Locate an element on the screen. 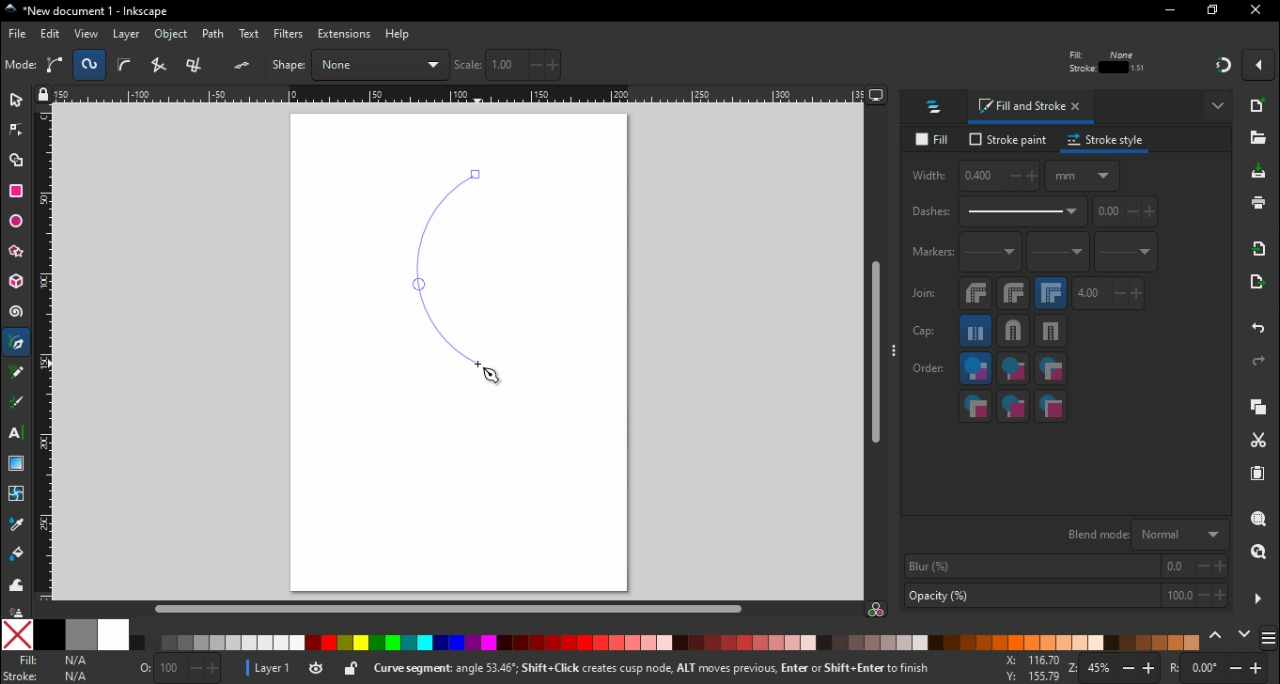  zoom drawing is located at coordinates (1258, 553).